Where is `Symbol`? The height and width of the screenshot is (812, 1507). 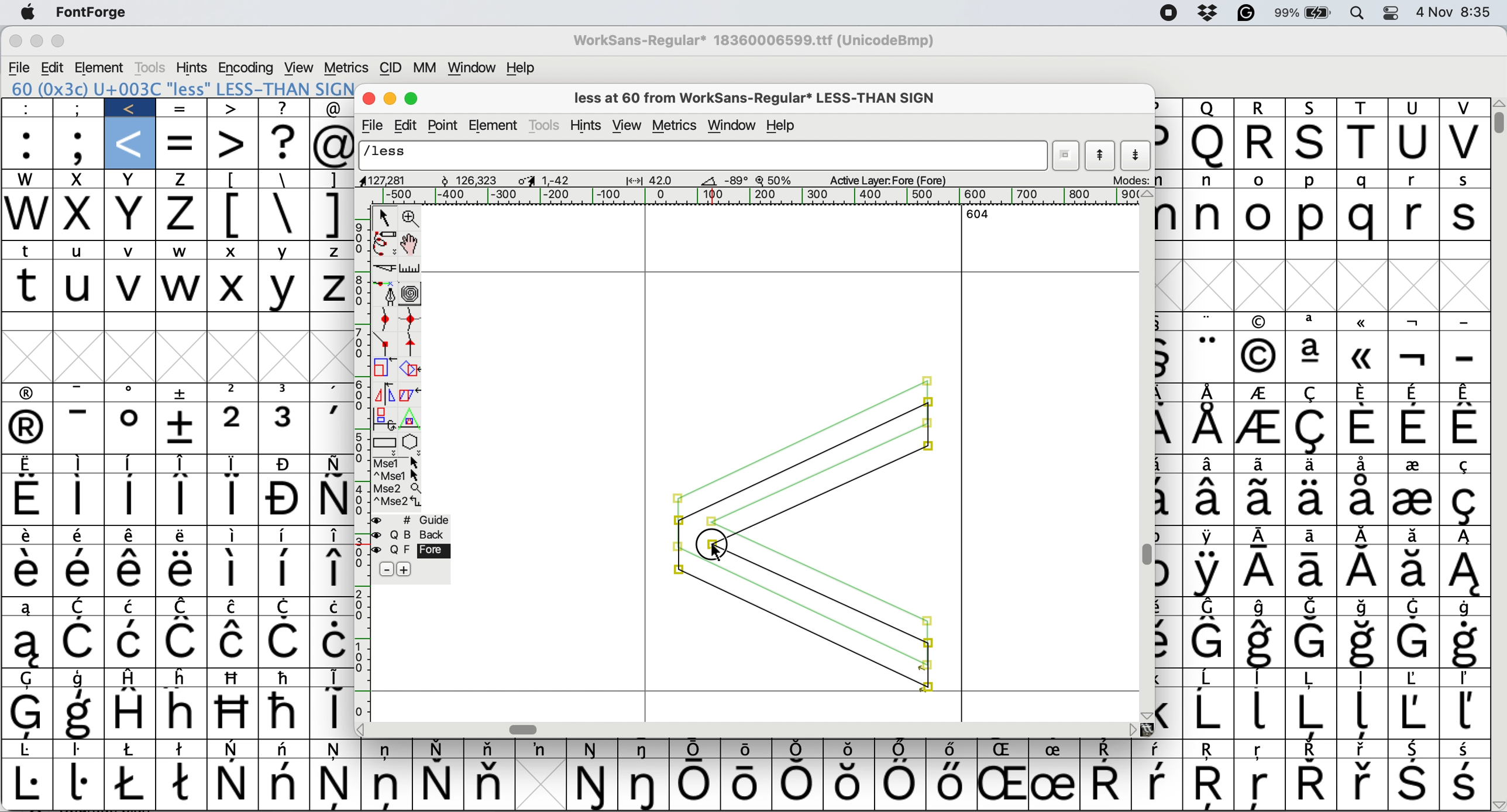
Symbol is located at coordinates (1209, 714).